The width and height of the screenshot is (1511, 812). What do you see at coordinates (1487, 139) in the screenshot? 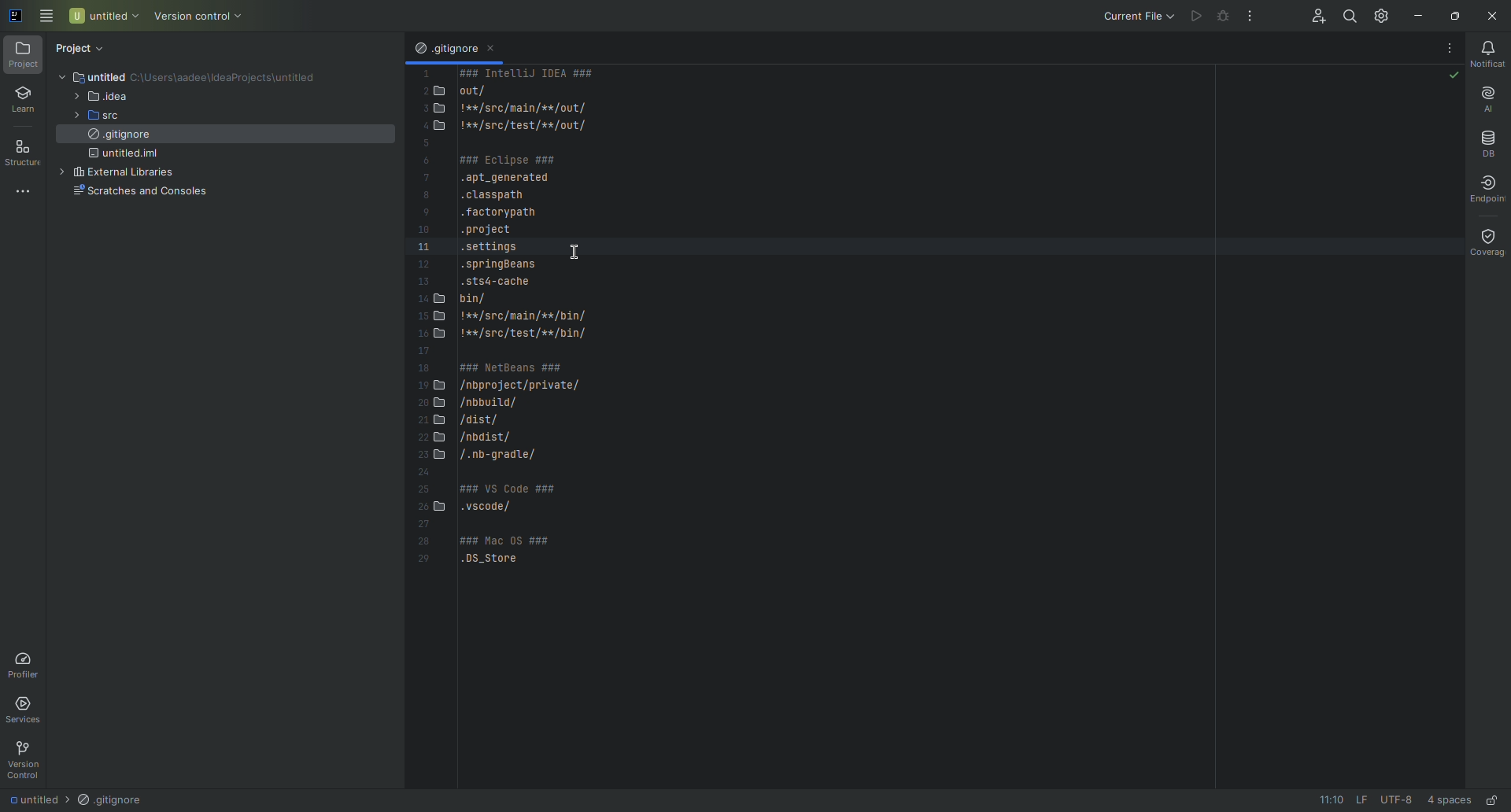
I see `Database` at bounding box center [1487, 139].